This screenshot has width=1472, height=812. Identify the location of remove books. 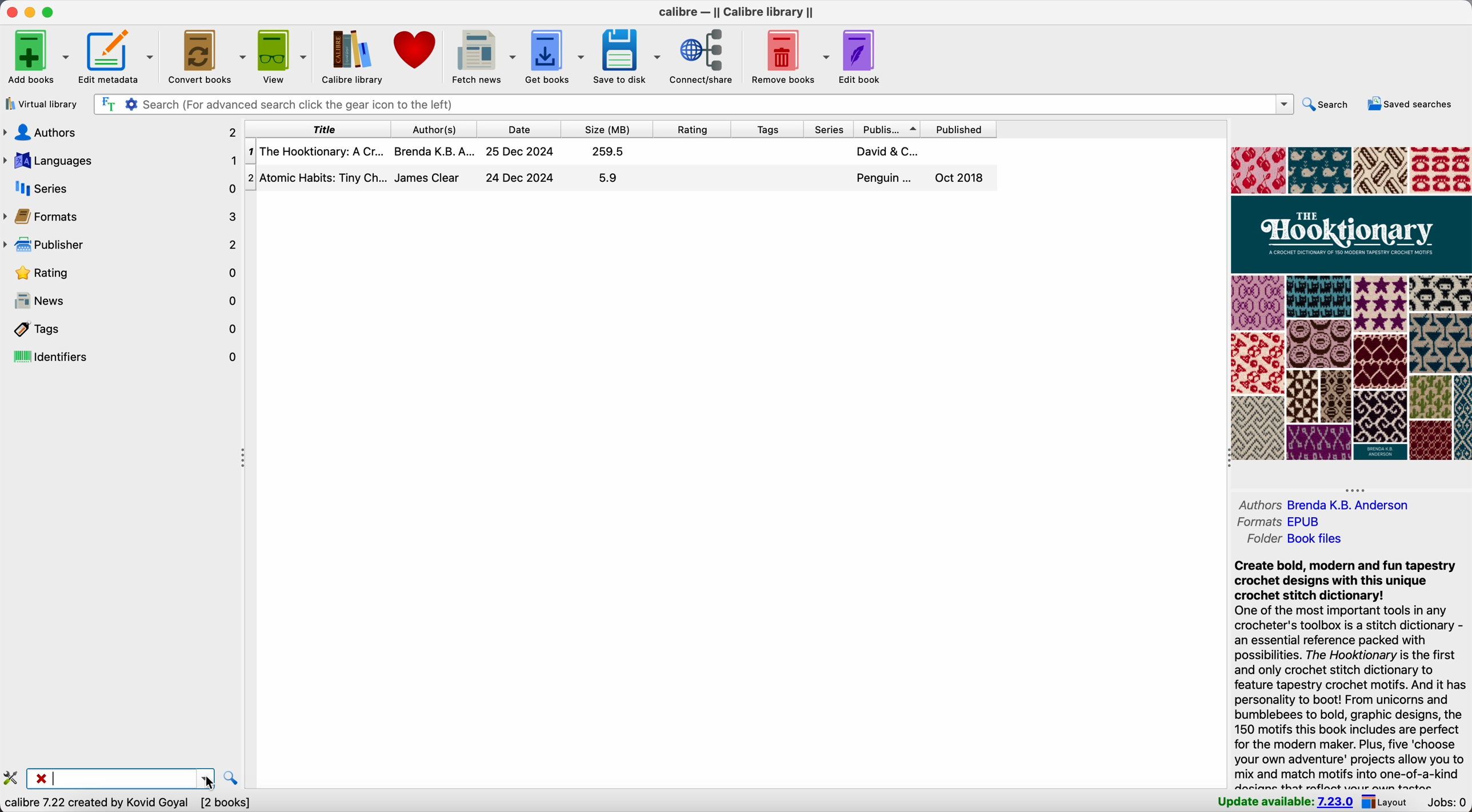
(790, 57).